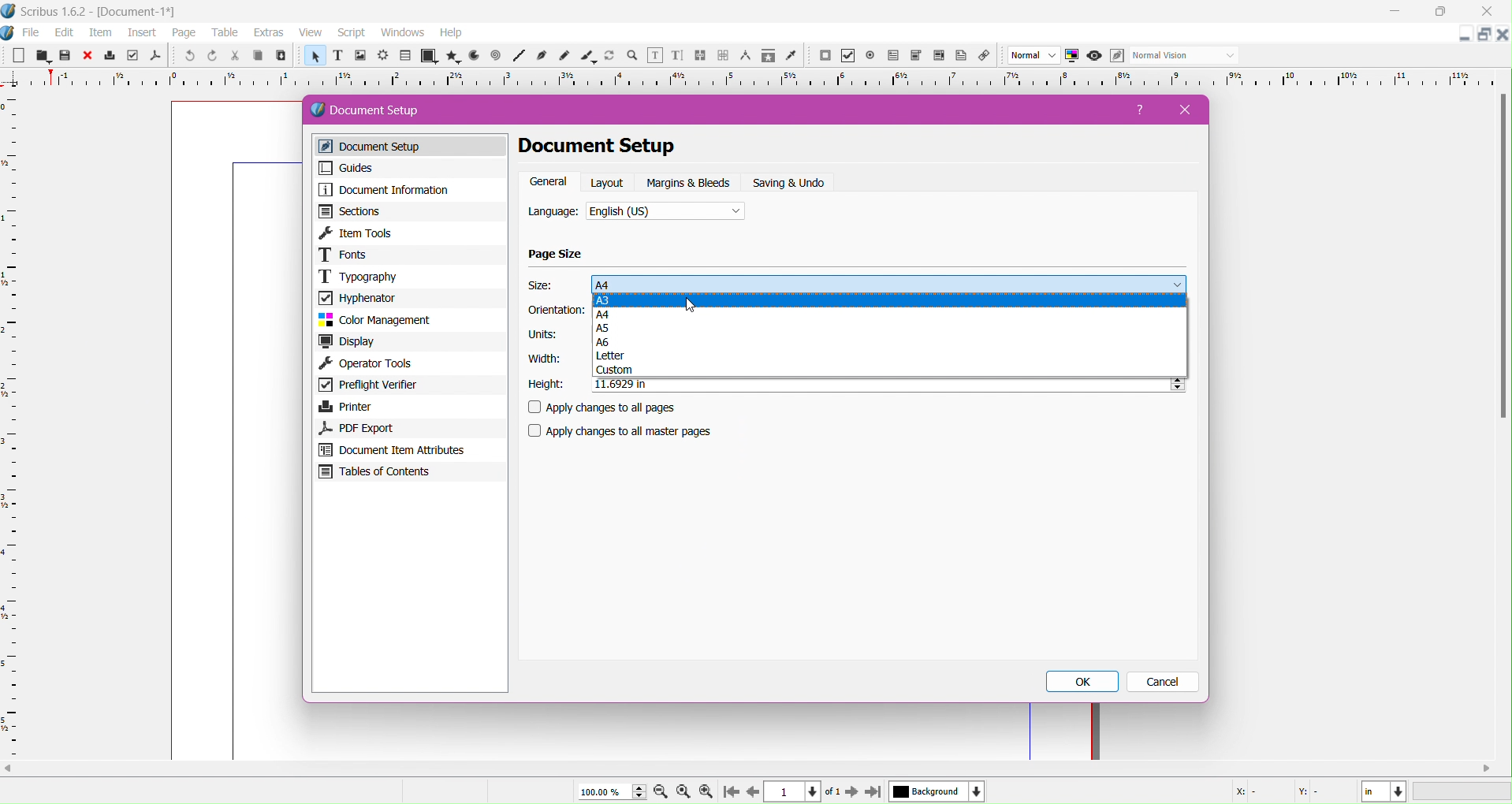 This screenshot has width=1512, height=804. What do you see at coordinates (140, 13) in the screenshot?
I see `document name` at bounding box center [140, 13].